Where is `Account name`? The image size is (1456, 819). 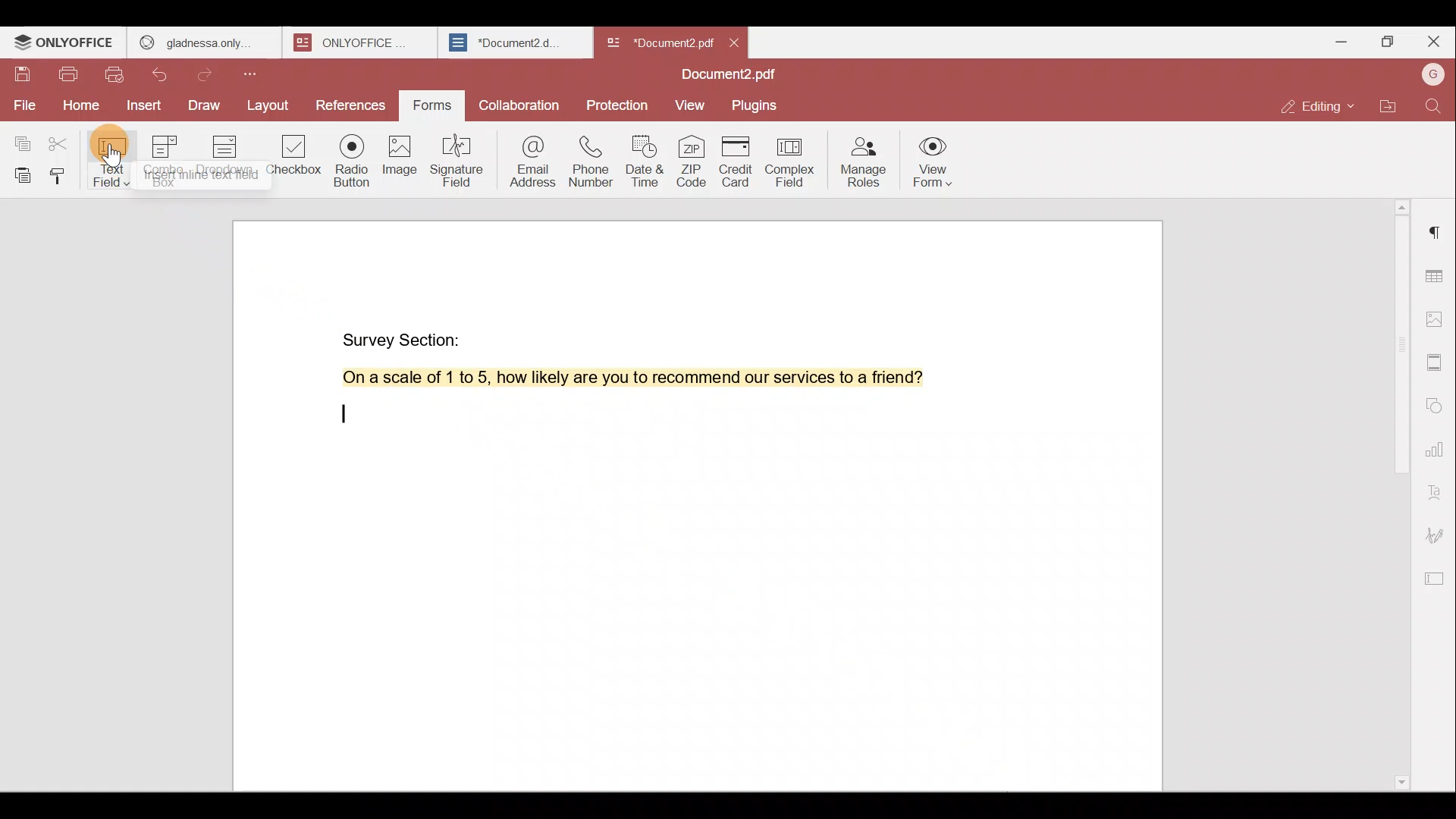 Account name is located at coordinates (1432, 76).